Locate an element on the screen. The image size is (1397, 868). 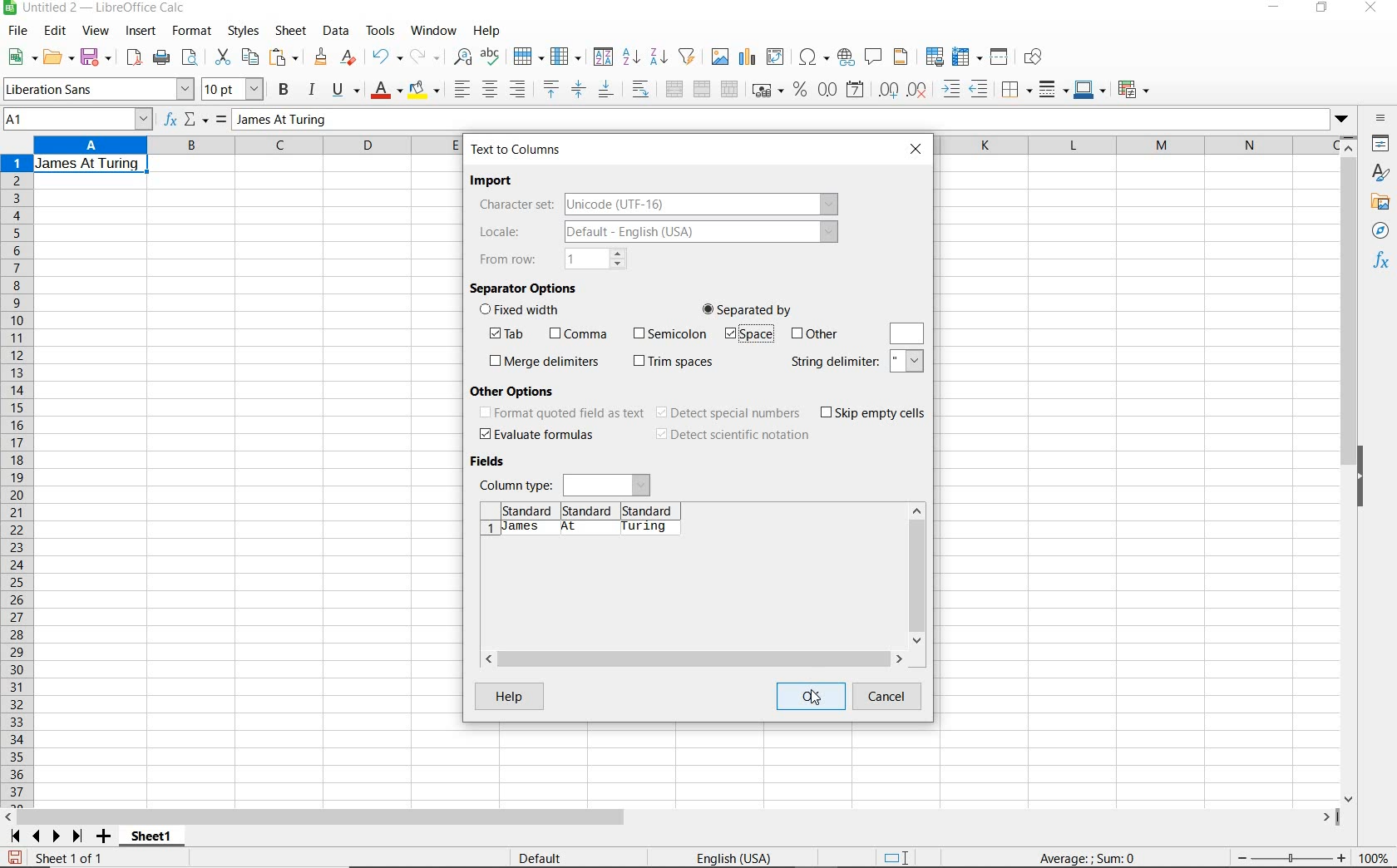
help is located at coordinates (487, 31).